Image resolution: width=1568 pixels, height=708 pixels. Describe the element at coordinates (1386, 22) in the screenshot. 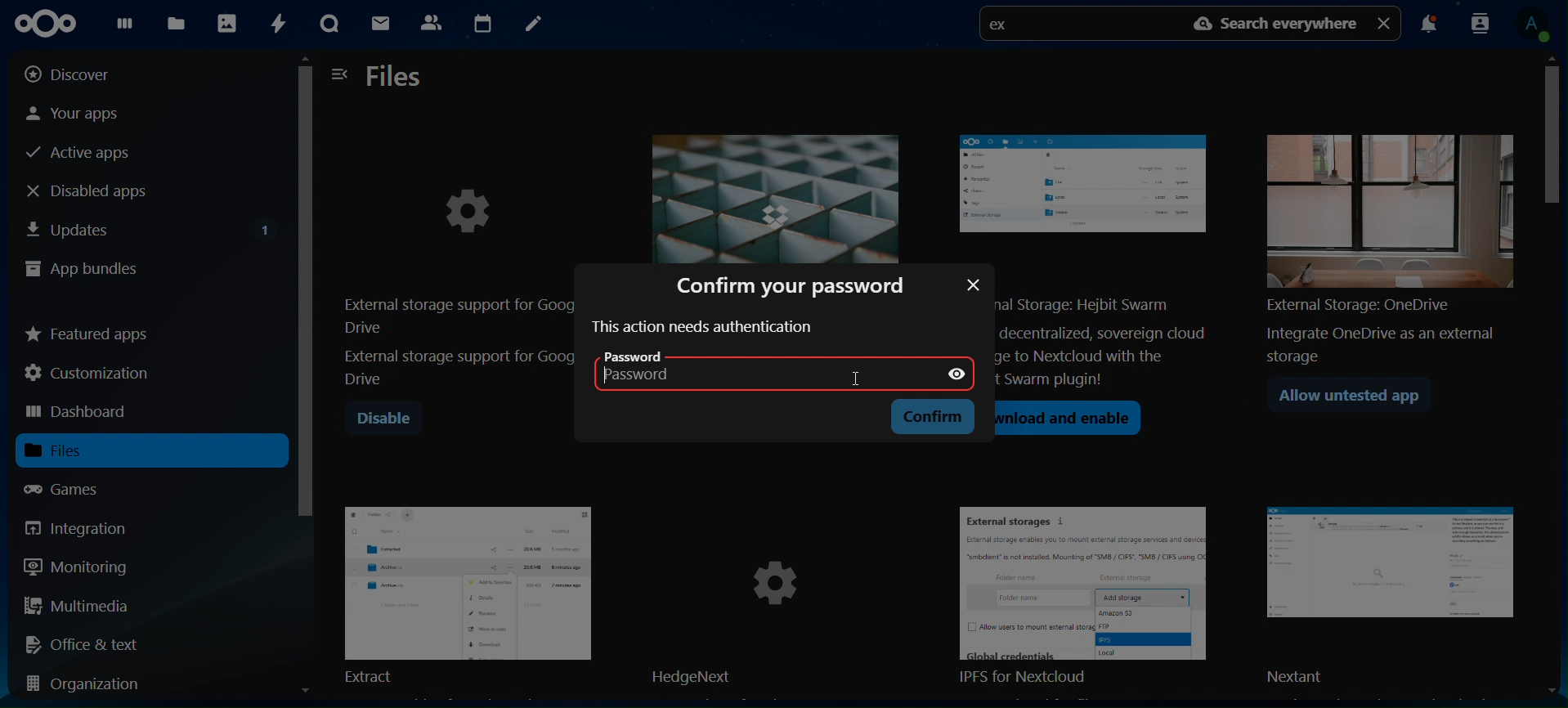

I see `close` at that location.